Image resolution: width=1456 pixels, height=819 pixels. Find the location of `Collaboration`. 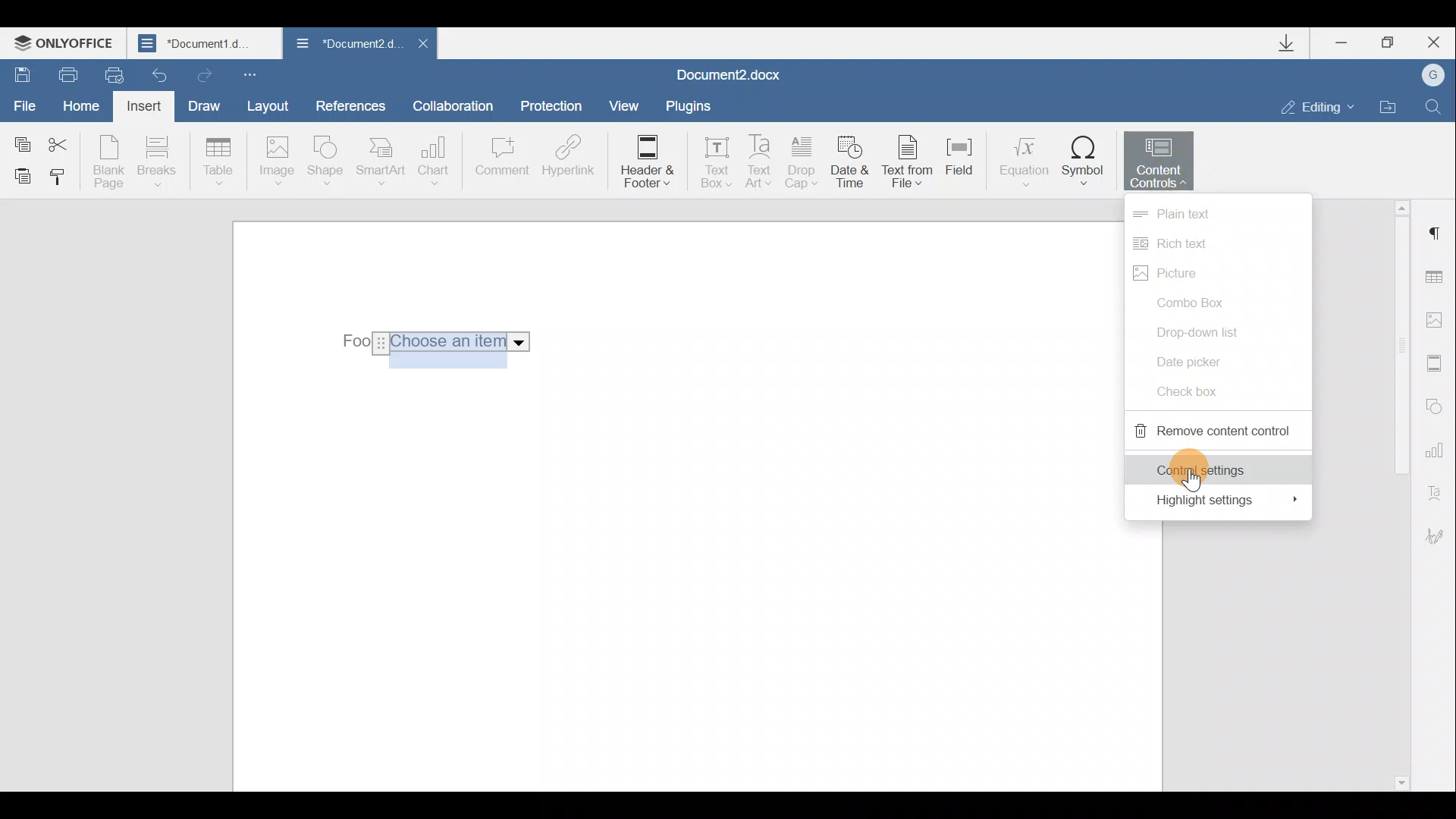

Collaboration is located at coordinates (459, 105).